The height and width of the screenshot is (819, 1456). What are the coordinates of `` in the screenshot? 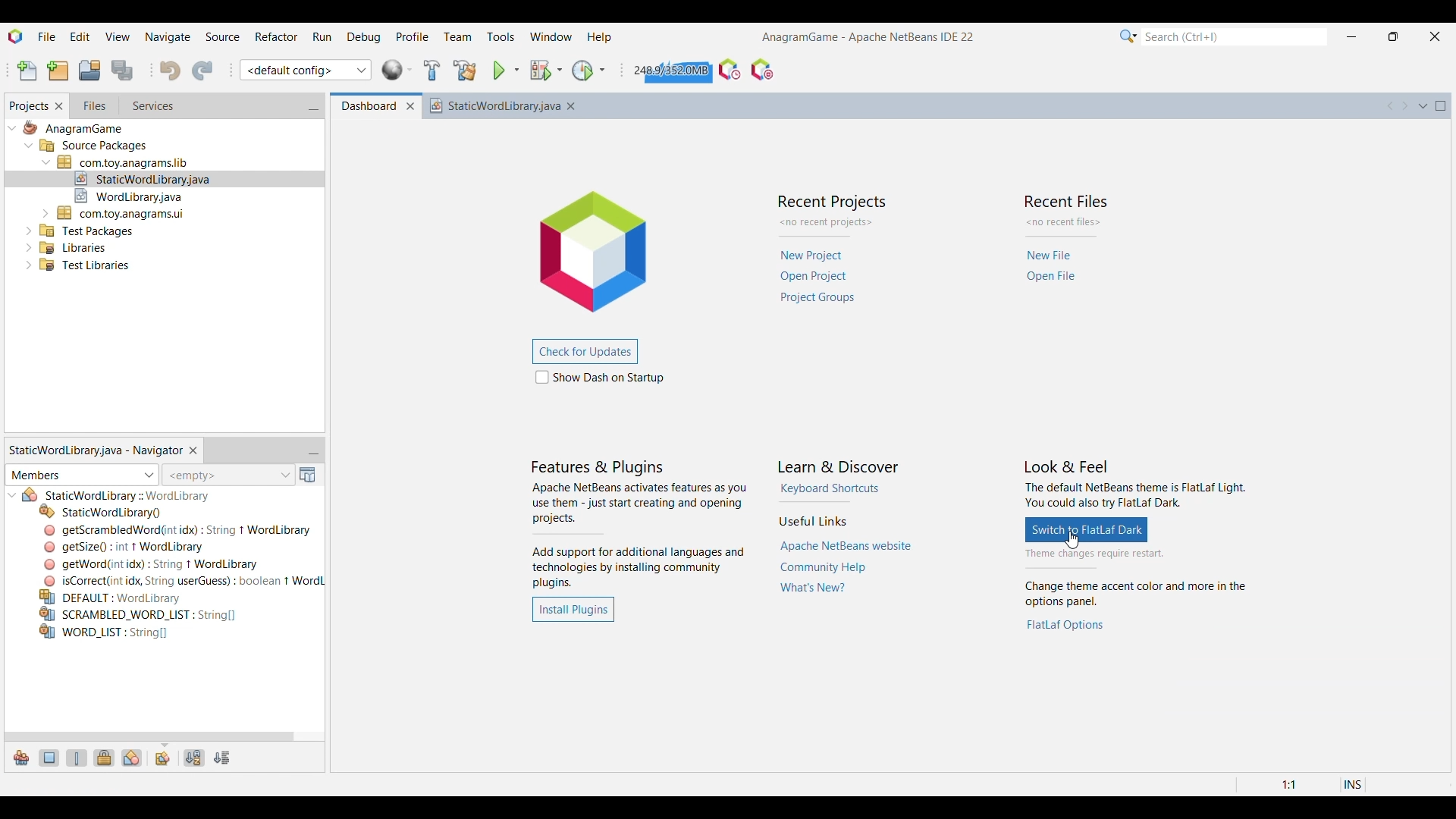 It's located at (138, 613).